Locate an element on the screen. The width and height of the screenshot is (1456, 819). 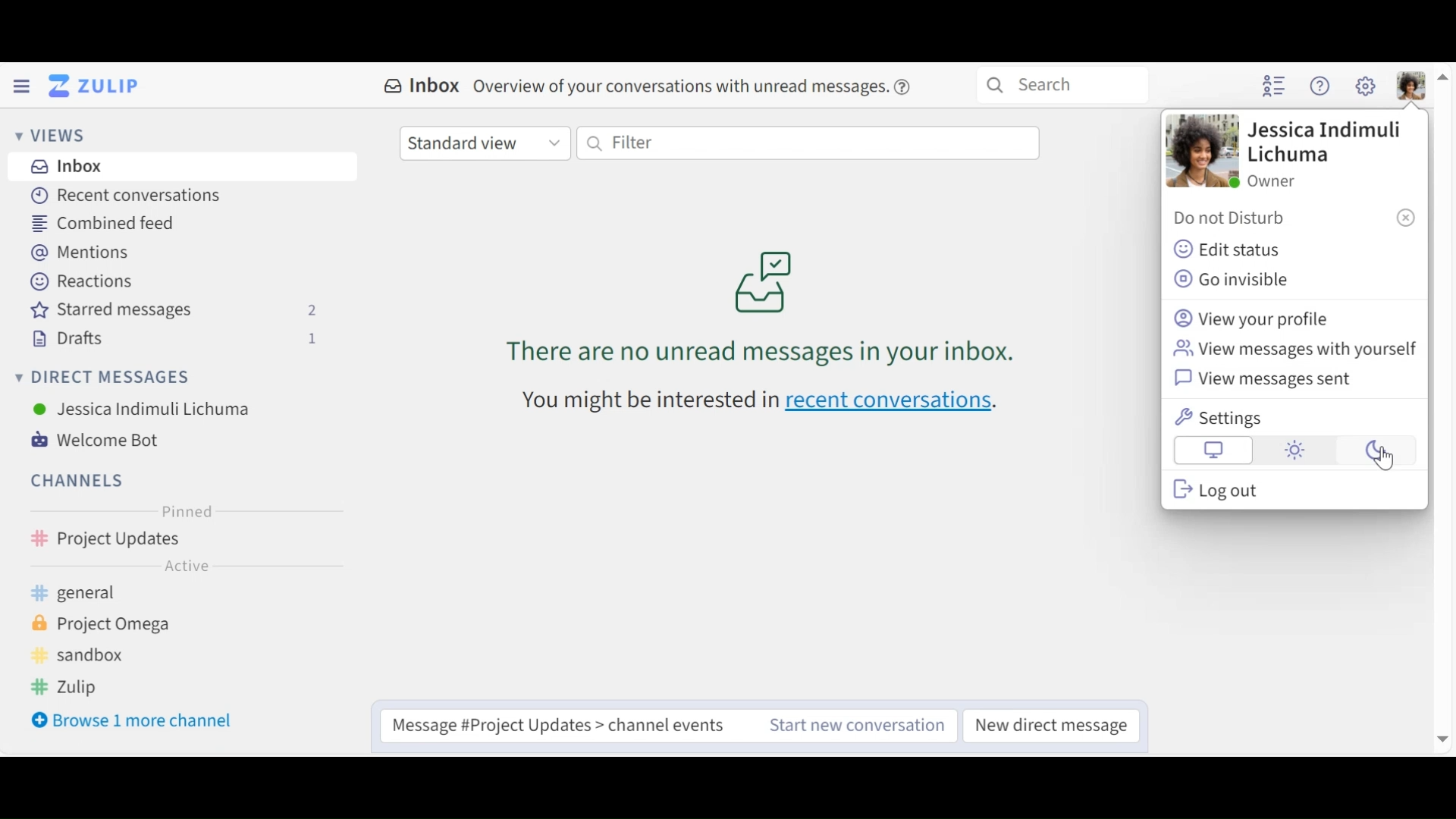
Inbox is located at coordinates (184, 167).